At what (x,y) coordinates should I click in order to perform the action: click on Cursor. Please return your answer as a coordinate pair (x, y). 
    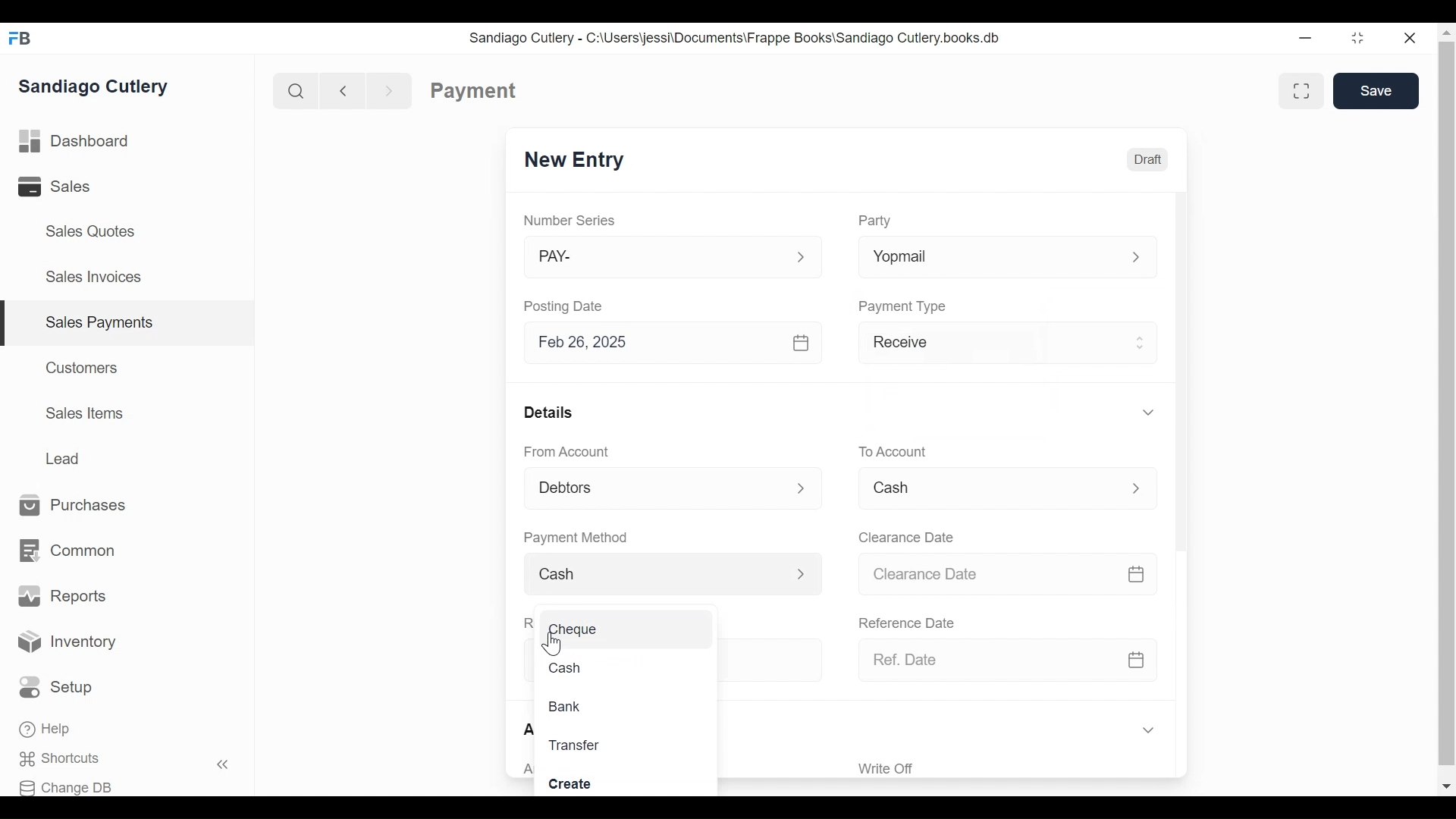
    Looking at the image, I should click on (554, 644).